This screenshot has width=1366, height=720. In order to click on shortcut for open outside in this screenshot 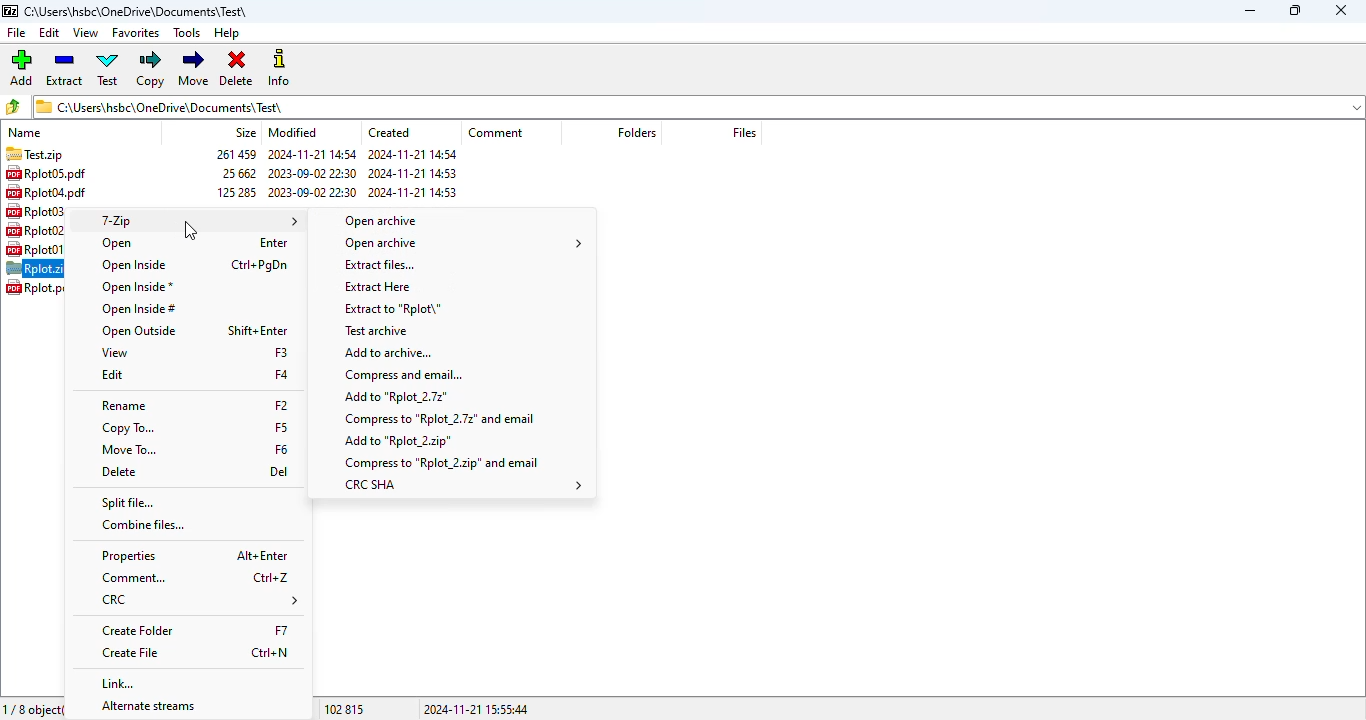, I will do `click(258, 329)`.